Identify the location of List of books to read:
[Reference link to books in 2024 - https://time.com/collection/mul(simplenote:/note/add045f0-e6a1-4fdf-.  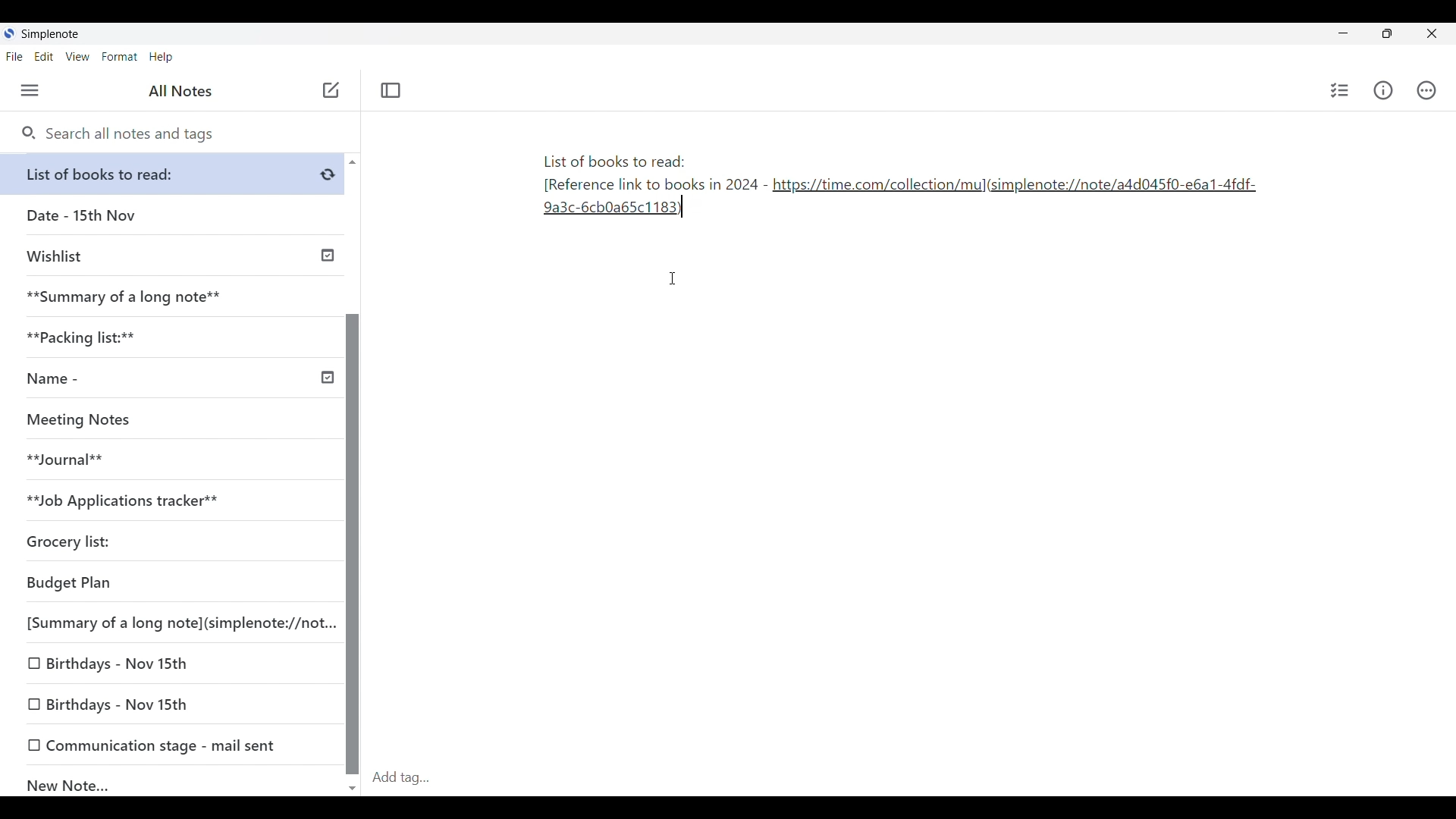
(908, 188).